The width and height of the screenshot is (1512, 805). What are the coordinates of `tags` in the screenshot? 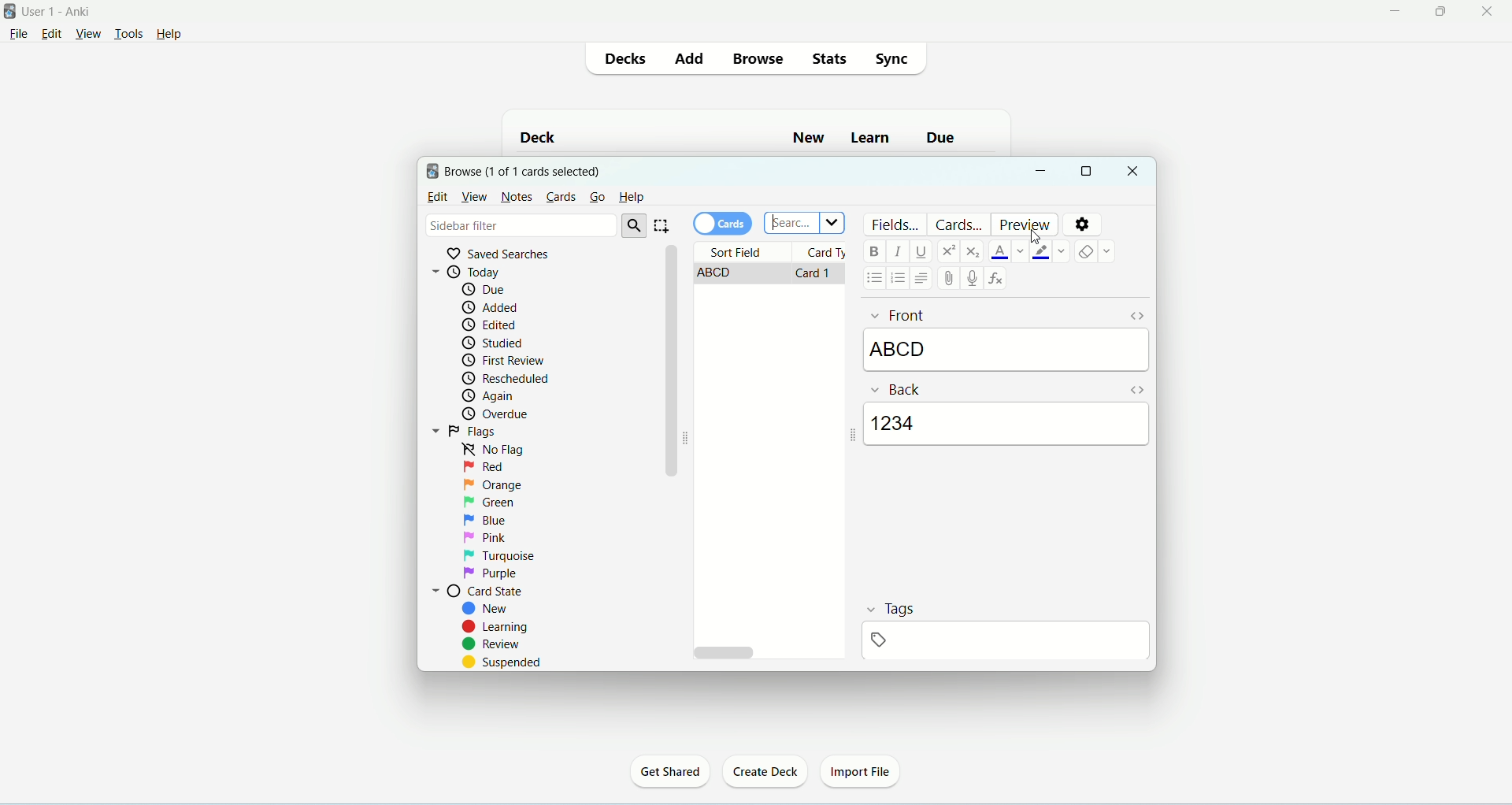 It's located at (1009, 641).